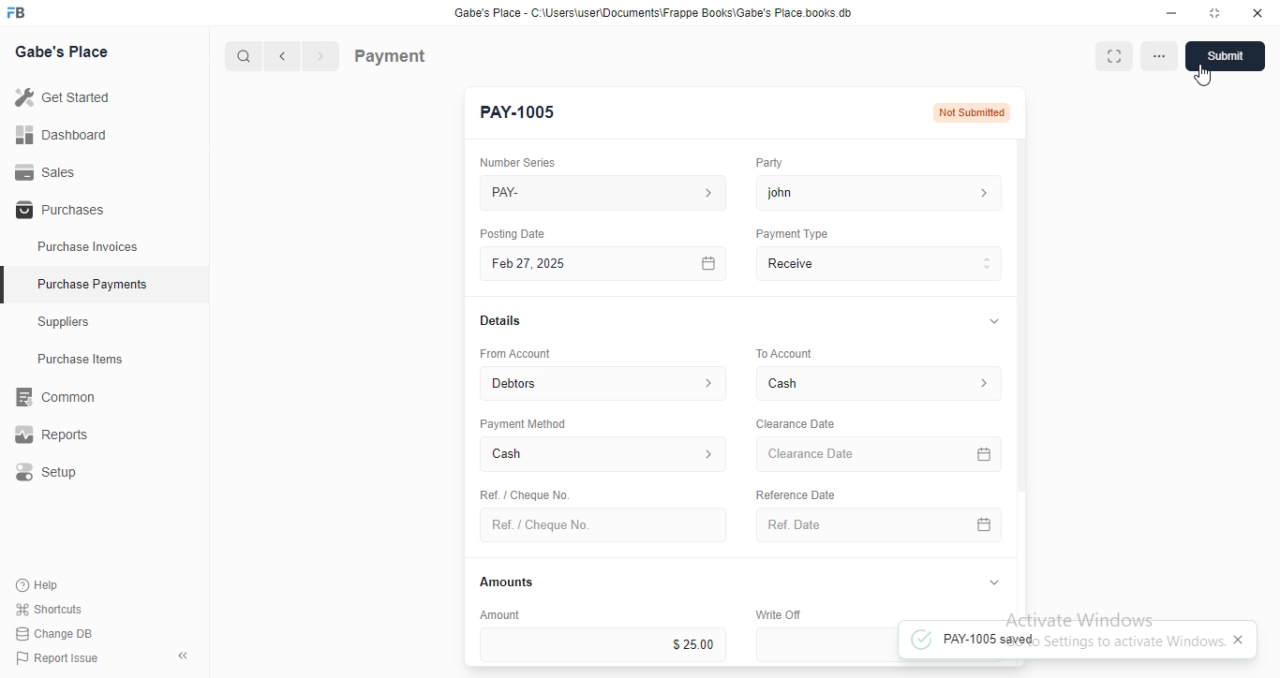  Describe the element at coordinates (603, 644) in the screenshot. I see `$25.00` at that location.